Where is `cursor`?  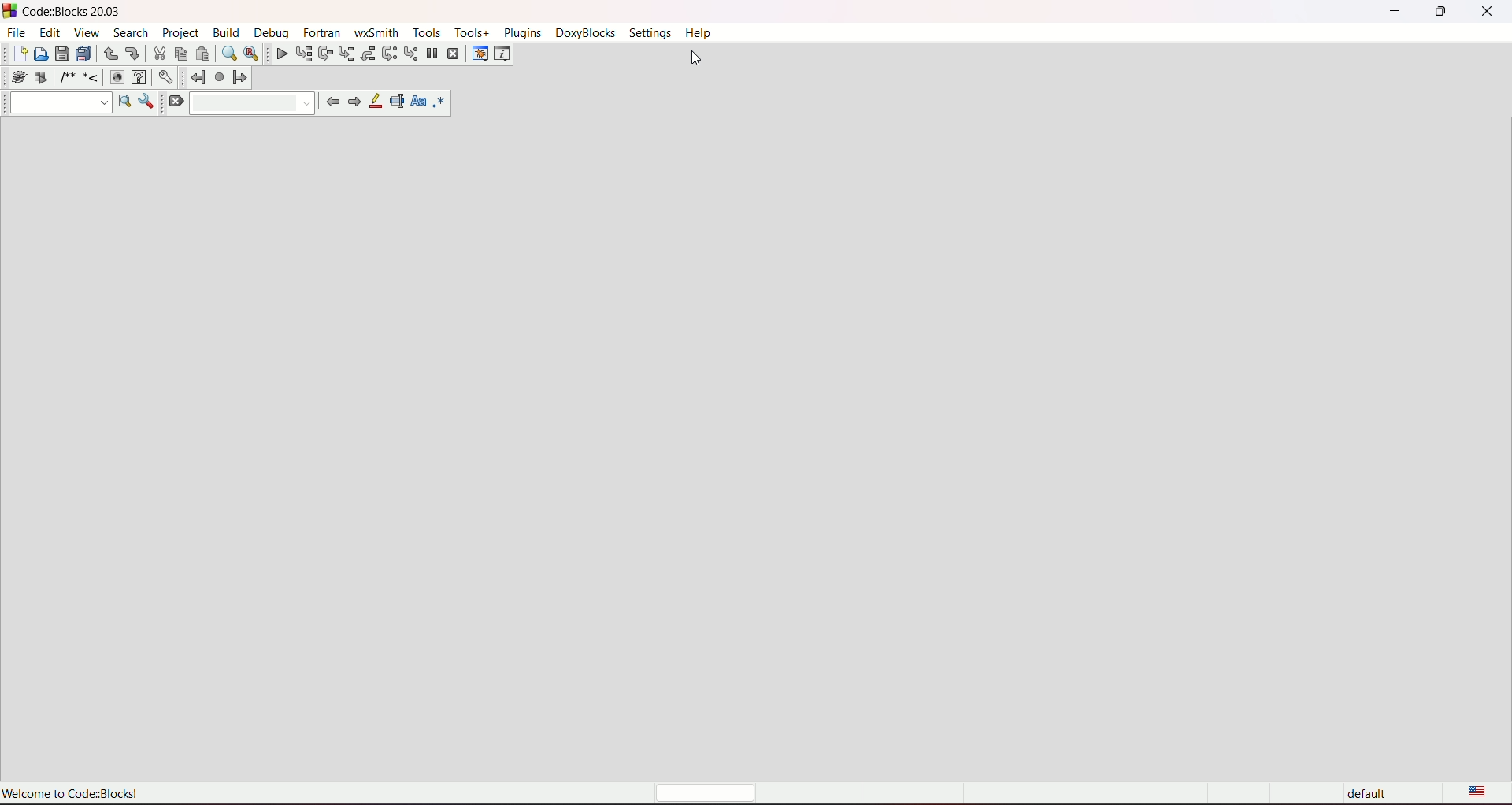 cursor is located at coordinates (702, 60).